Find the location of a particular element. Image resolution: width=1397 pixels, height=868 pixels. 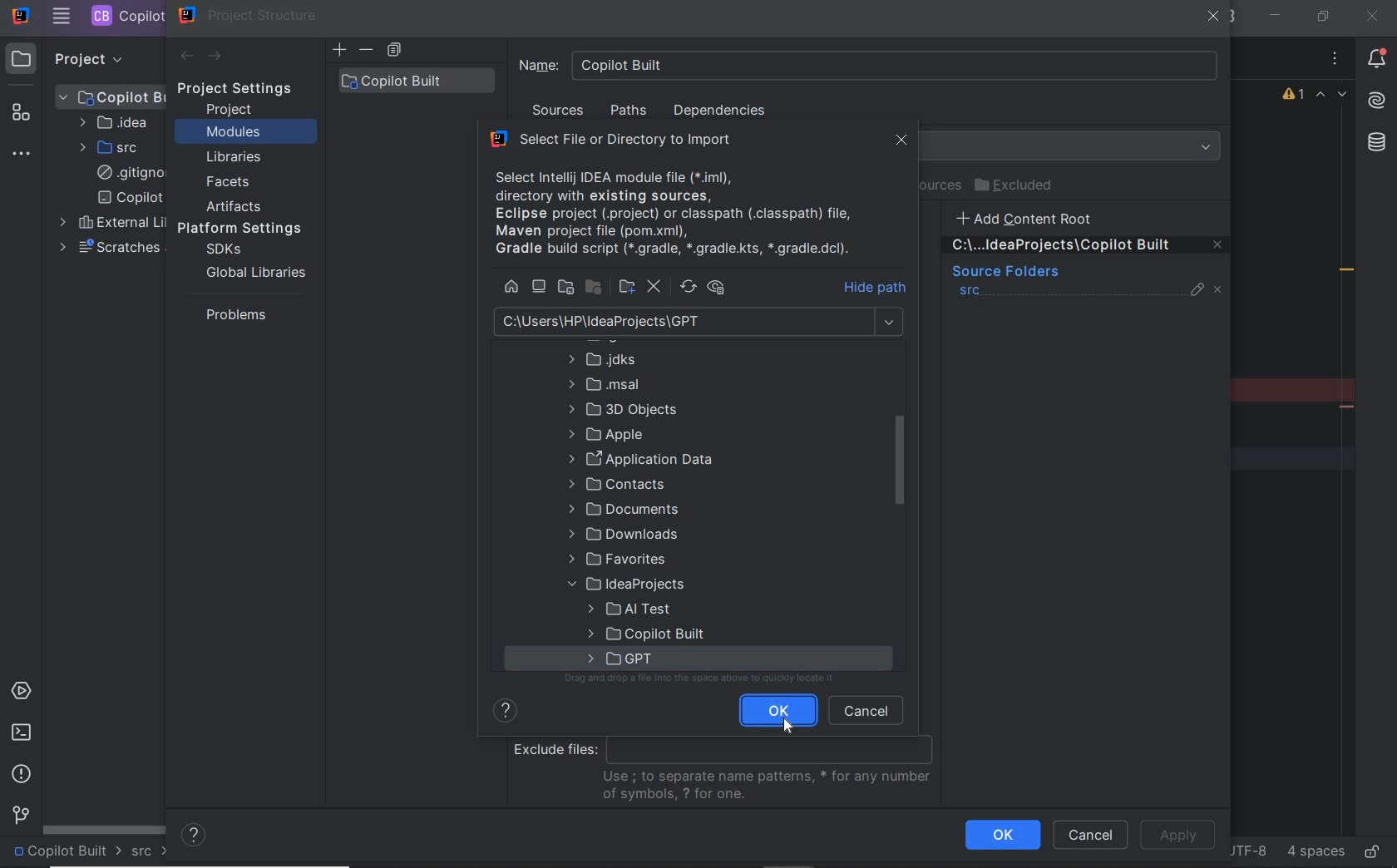

structure is located at coordinates (23, 116).